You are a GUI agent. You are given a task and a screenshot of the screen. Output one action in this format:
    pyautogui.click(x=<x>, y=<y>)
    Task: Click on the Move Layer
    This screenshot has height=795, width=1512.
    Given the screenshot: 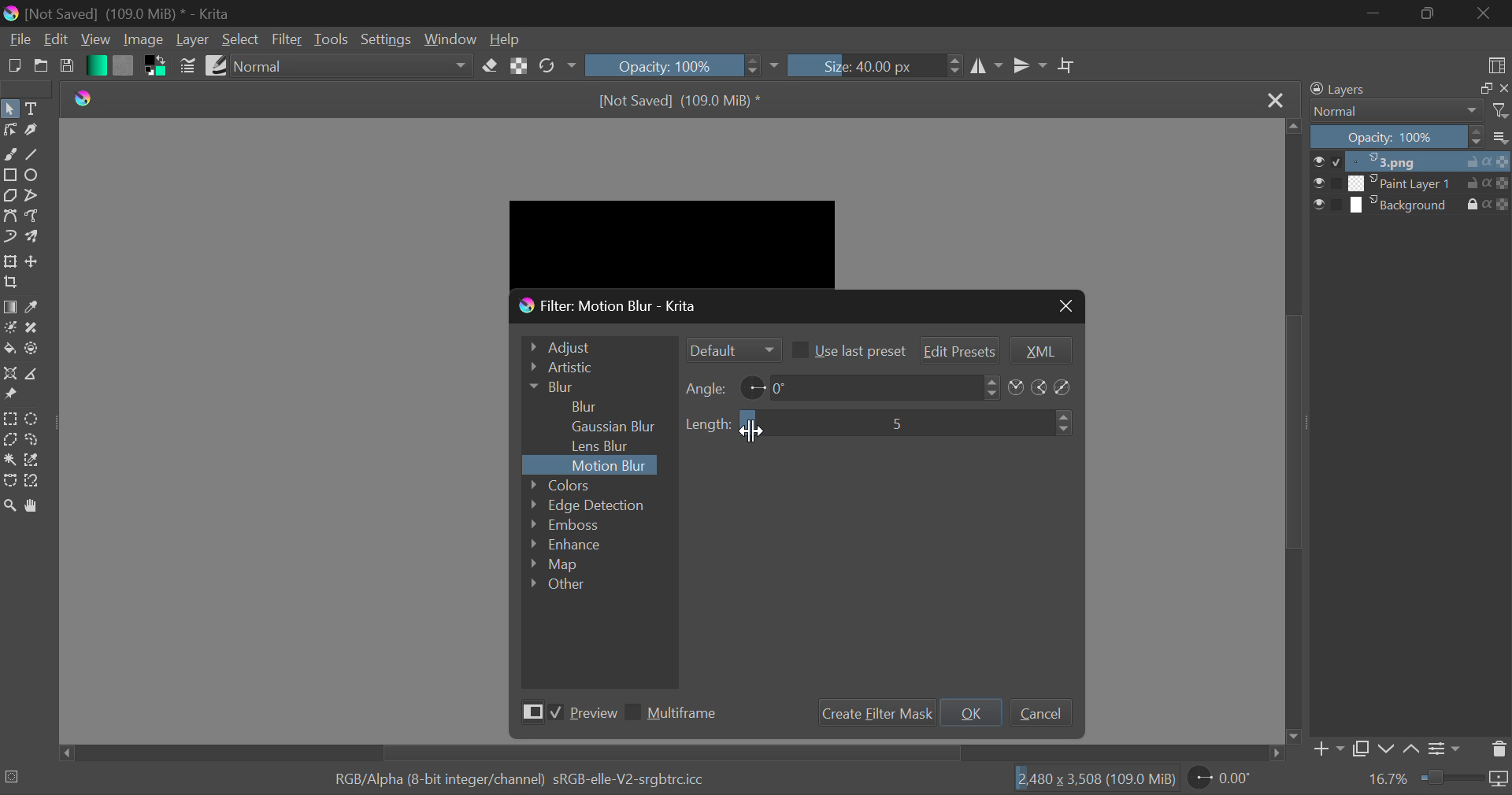 What is the action you would take?
    pyautogui.click(x=35, y=261)
    